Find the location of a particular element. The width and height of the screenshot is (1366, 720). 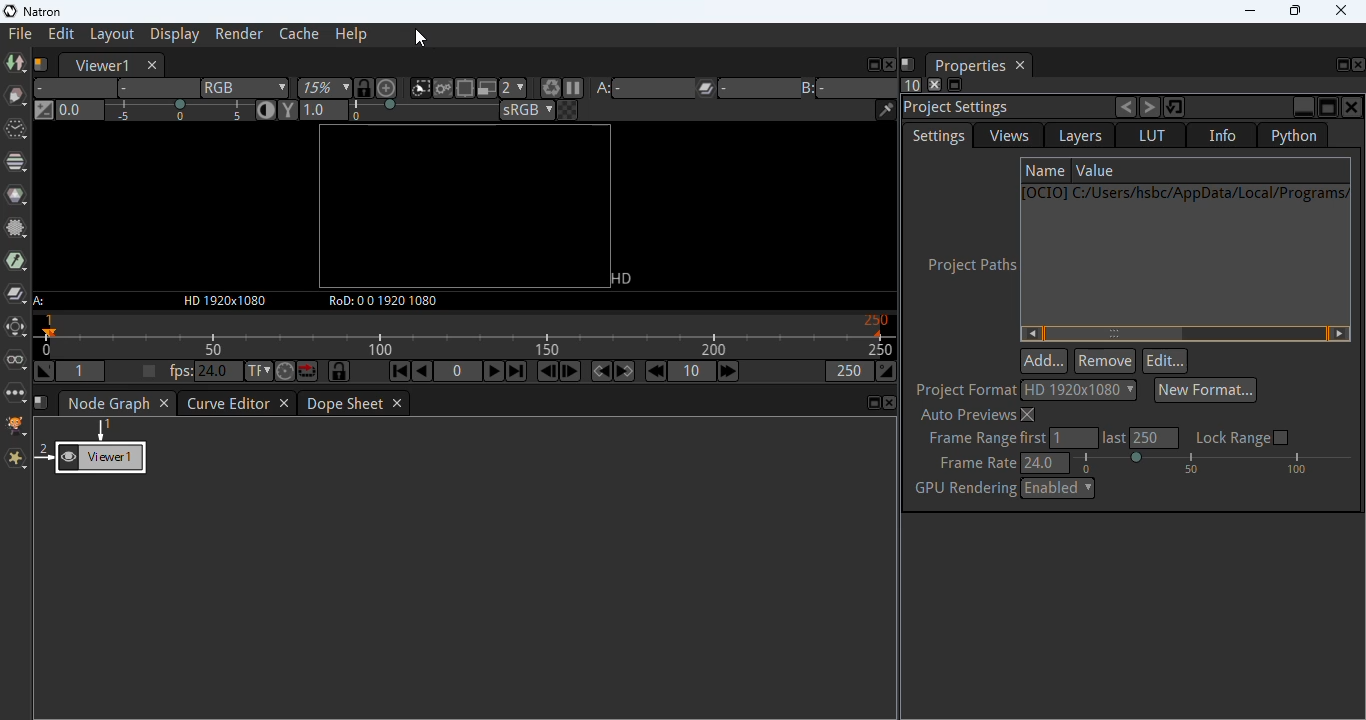

cache is located at coordinates (301, 34).